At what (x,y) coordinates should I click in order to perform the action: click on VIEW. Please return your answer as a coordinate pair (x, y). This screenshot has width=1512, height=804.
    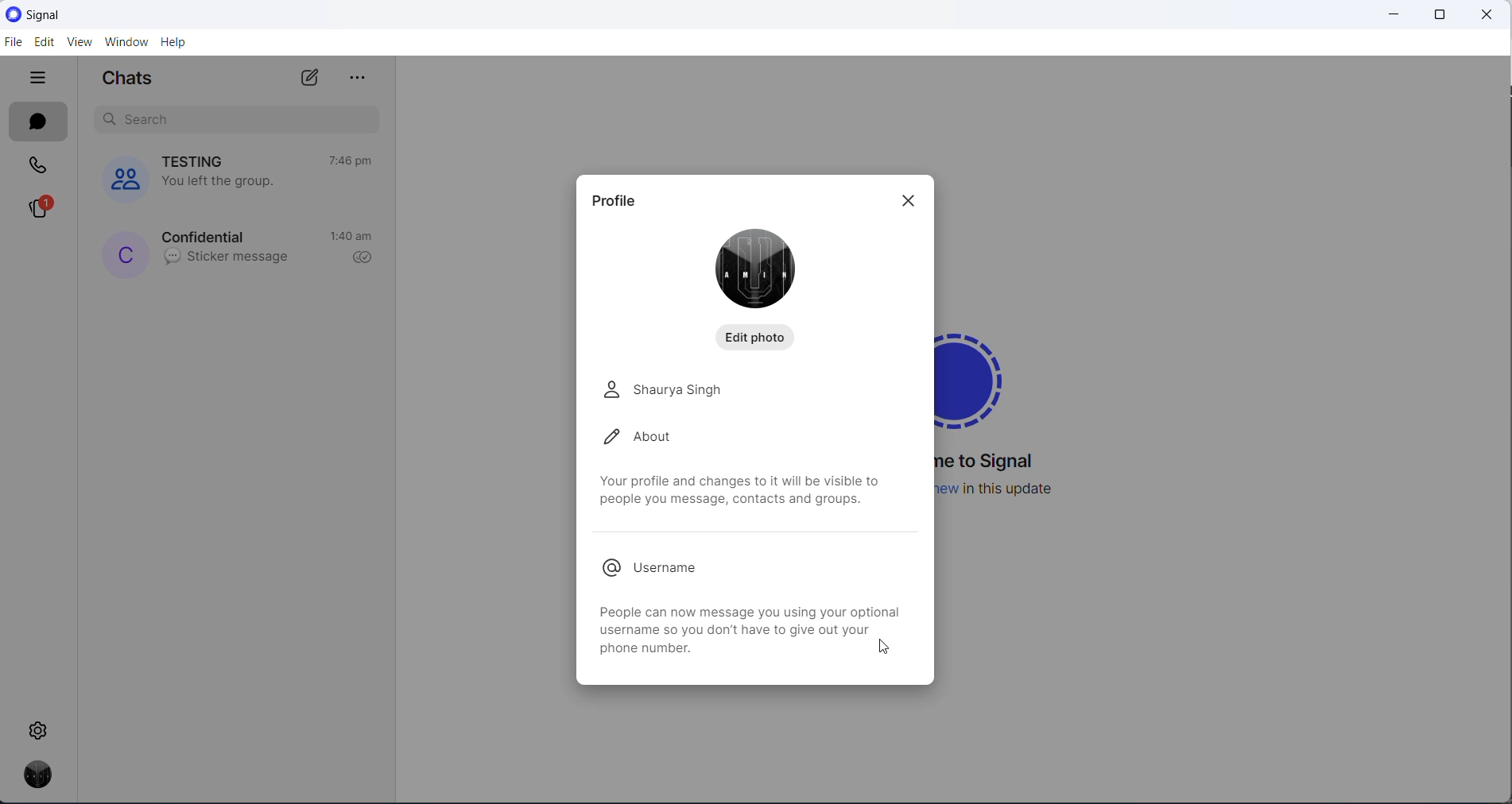
    Looking at the image, I should click on (77, 44).